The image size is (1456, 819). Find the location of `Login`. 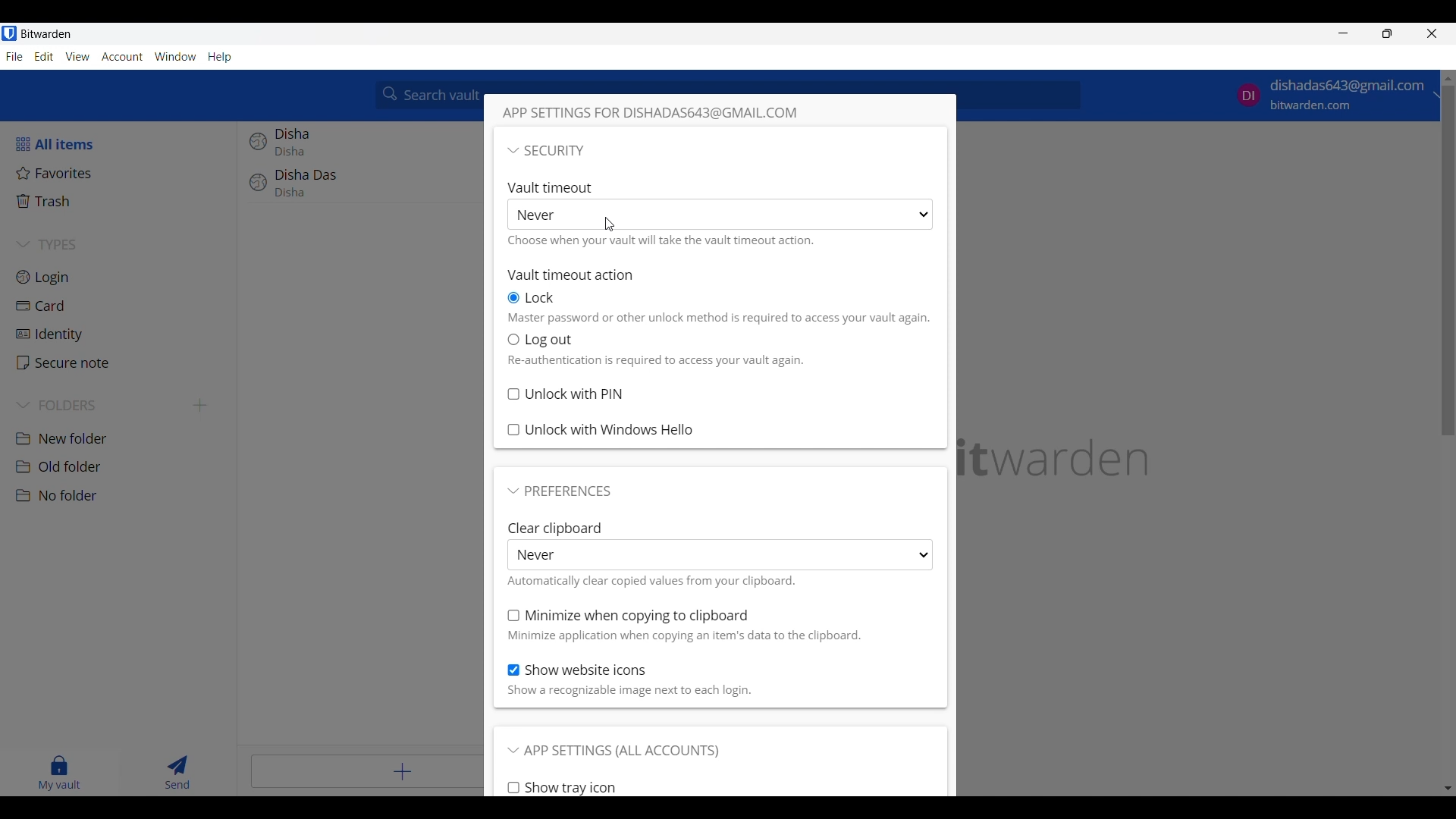

Login is located at coordinates (122, 277).